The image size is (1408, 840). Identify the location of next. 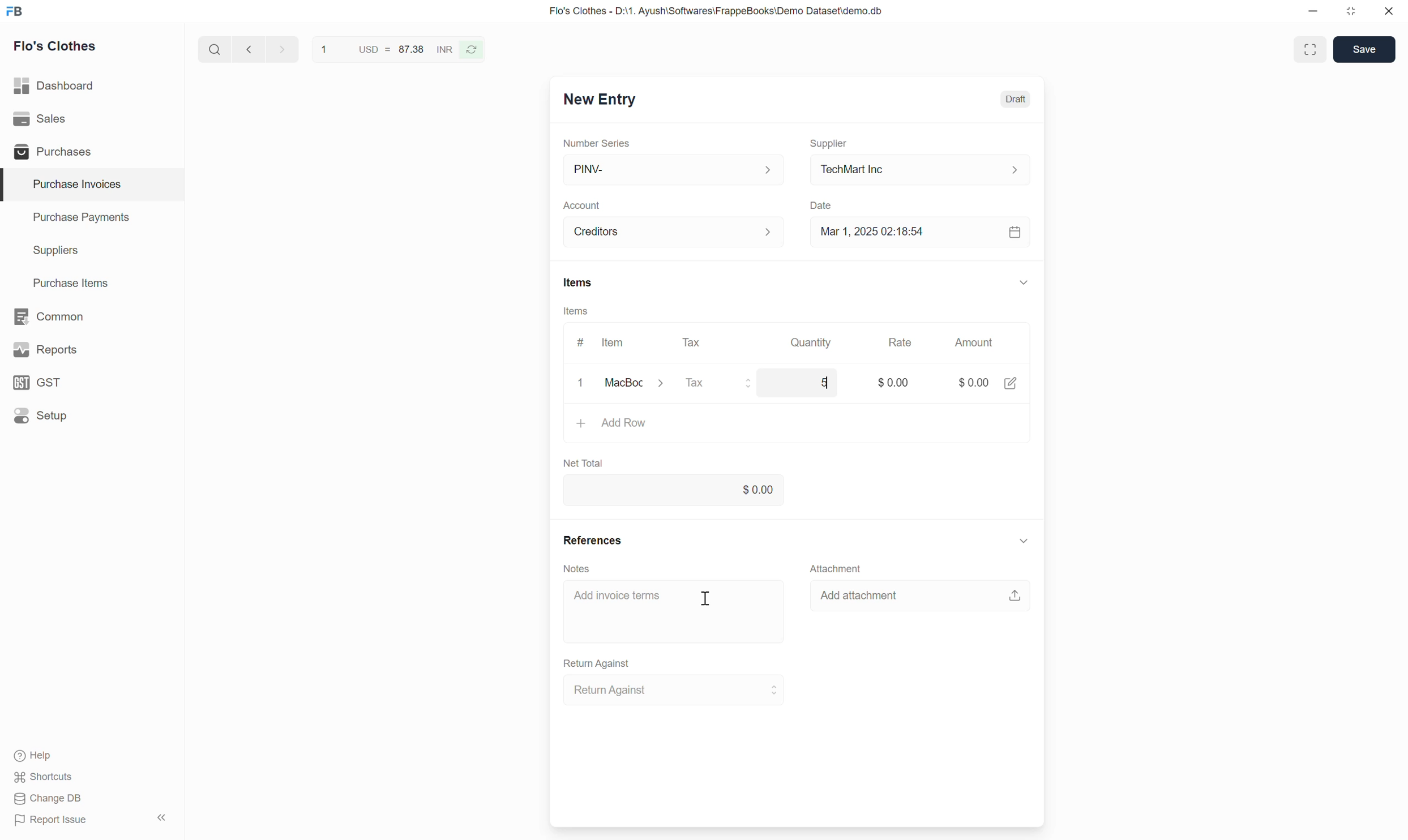
(284, 49).